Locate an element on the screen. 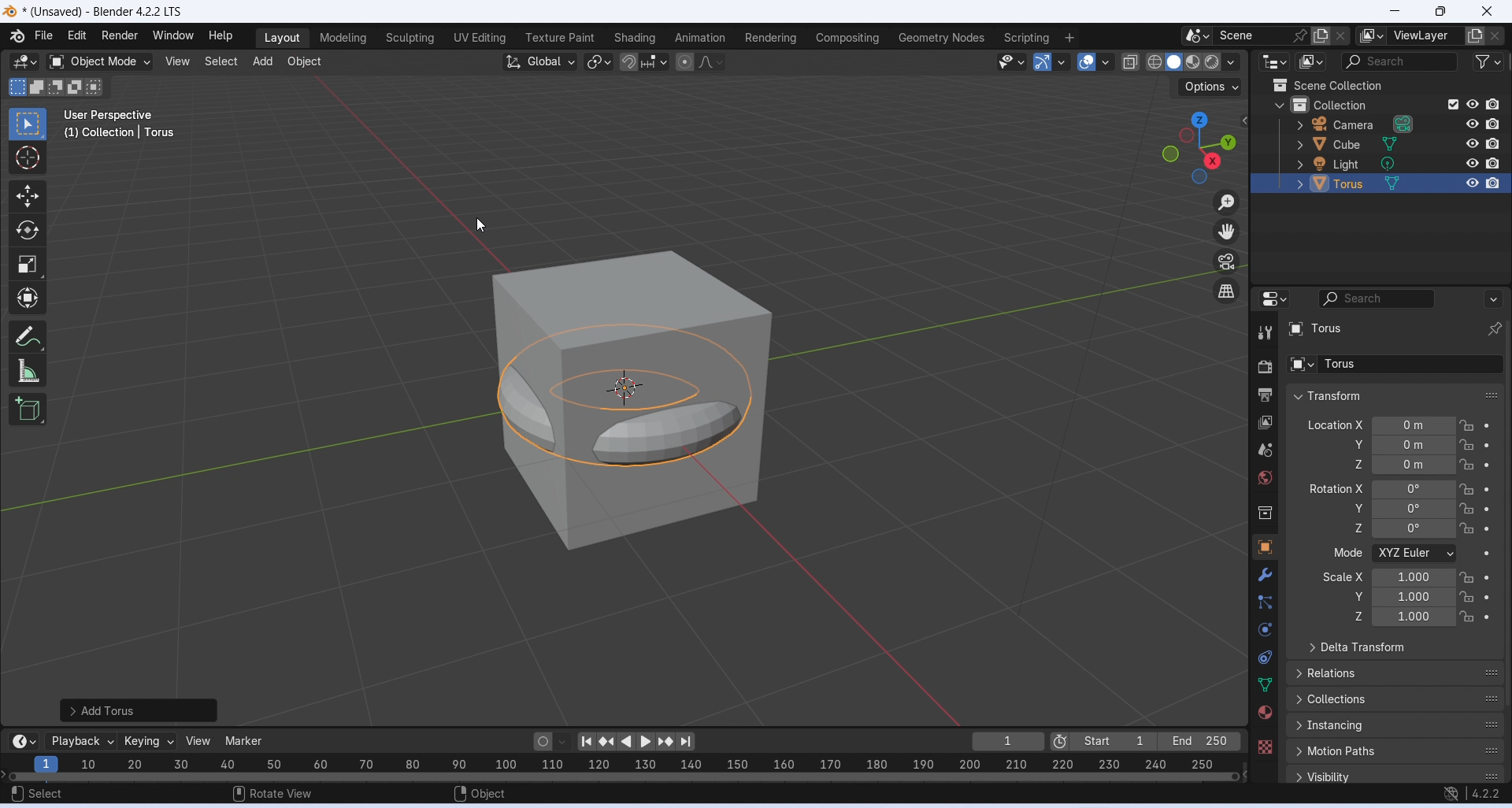  Transform is located at coordinates (28, 298).